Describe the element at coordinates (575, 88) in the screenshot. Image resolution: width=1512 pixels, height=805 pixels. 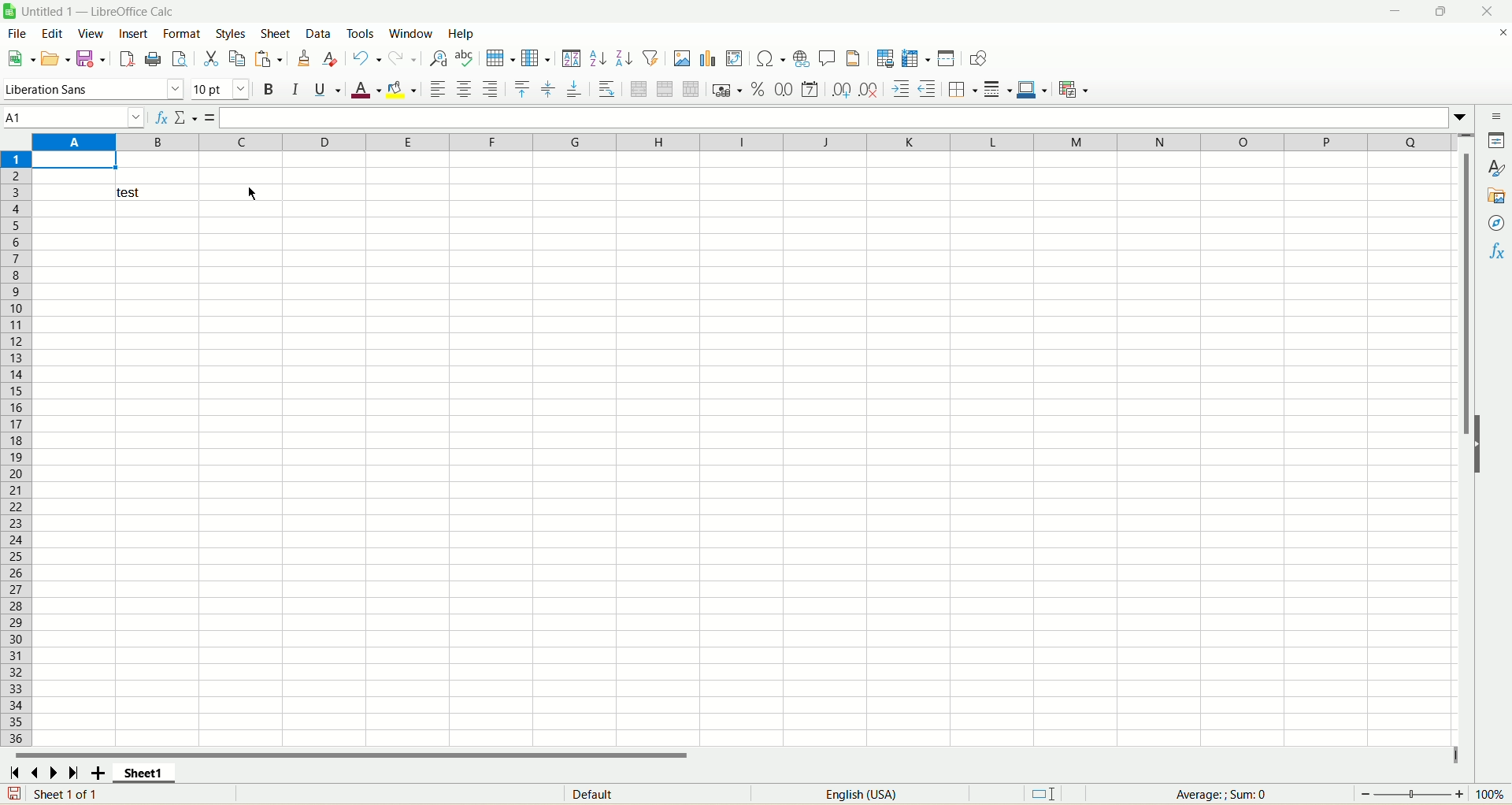
I see `align bottom` at that location.